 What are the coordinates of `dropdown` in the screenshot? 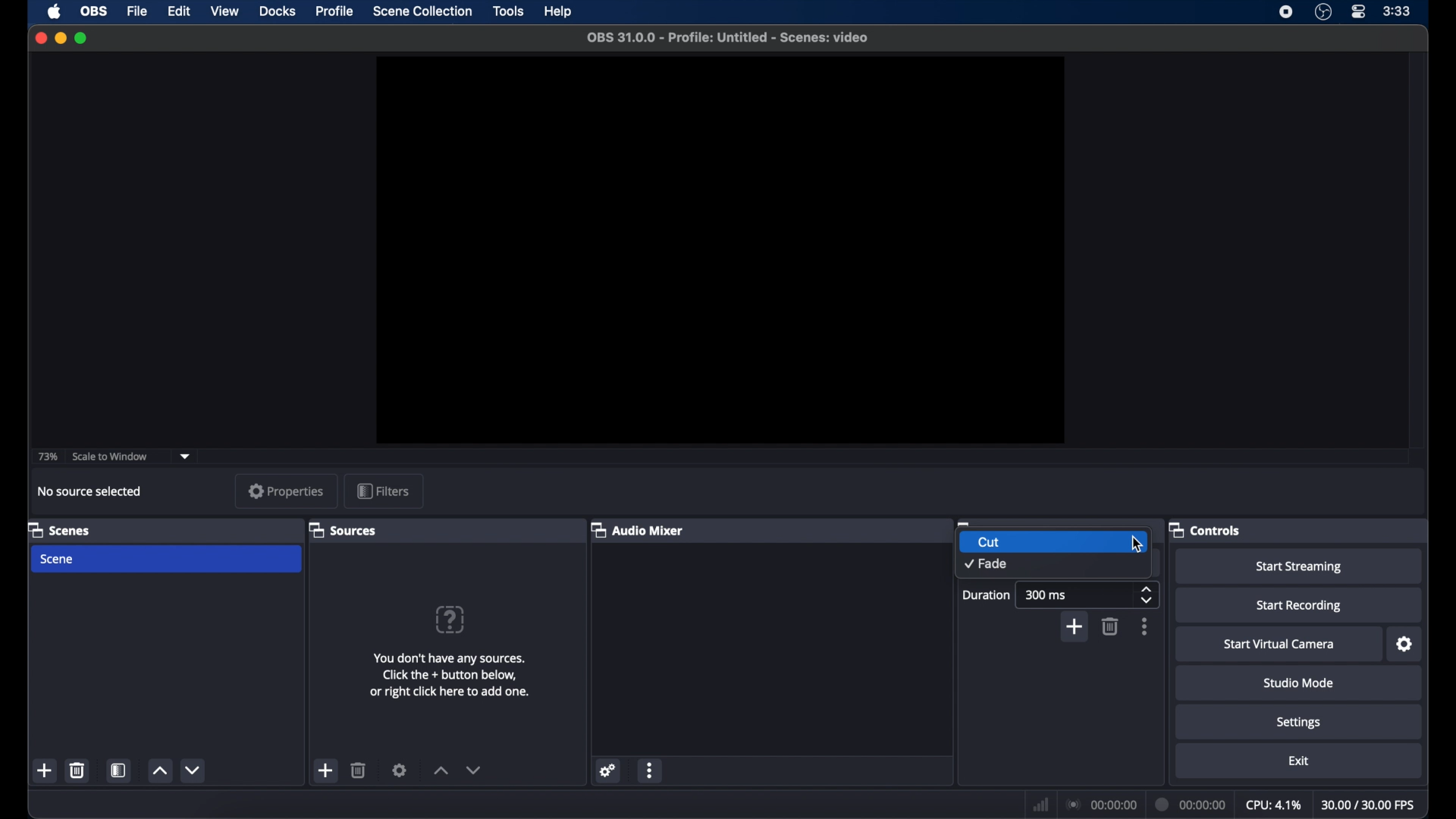 It's located at (186, 455).